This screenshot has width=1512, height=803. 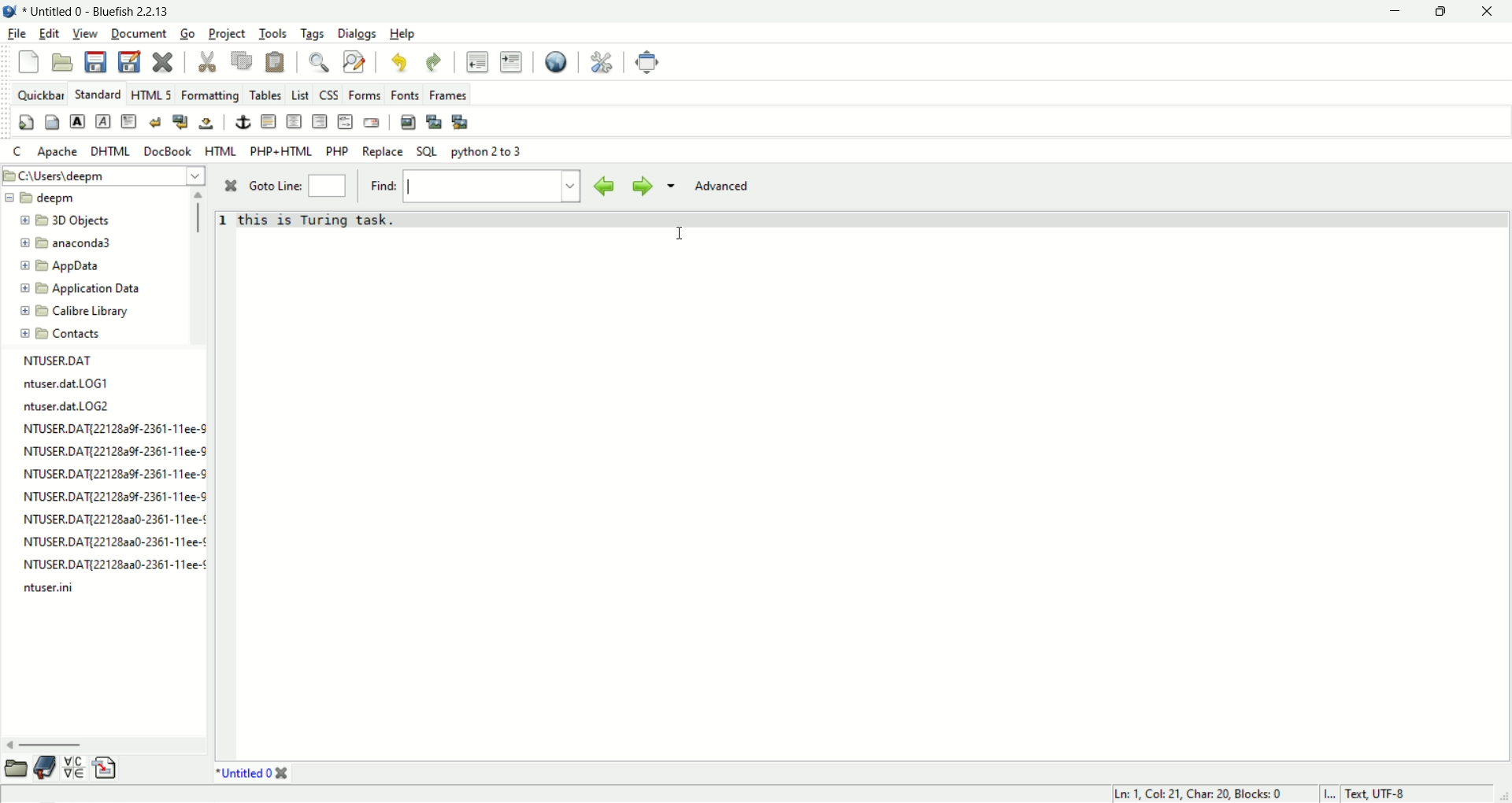 What do you see at coordinates (57, 383) in the screenshot?
I see `ntuser.dat.LOG1` at bounding box center [57, 383].